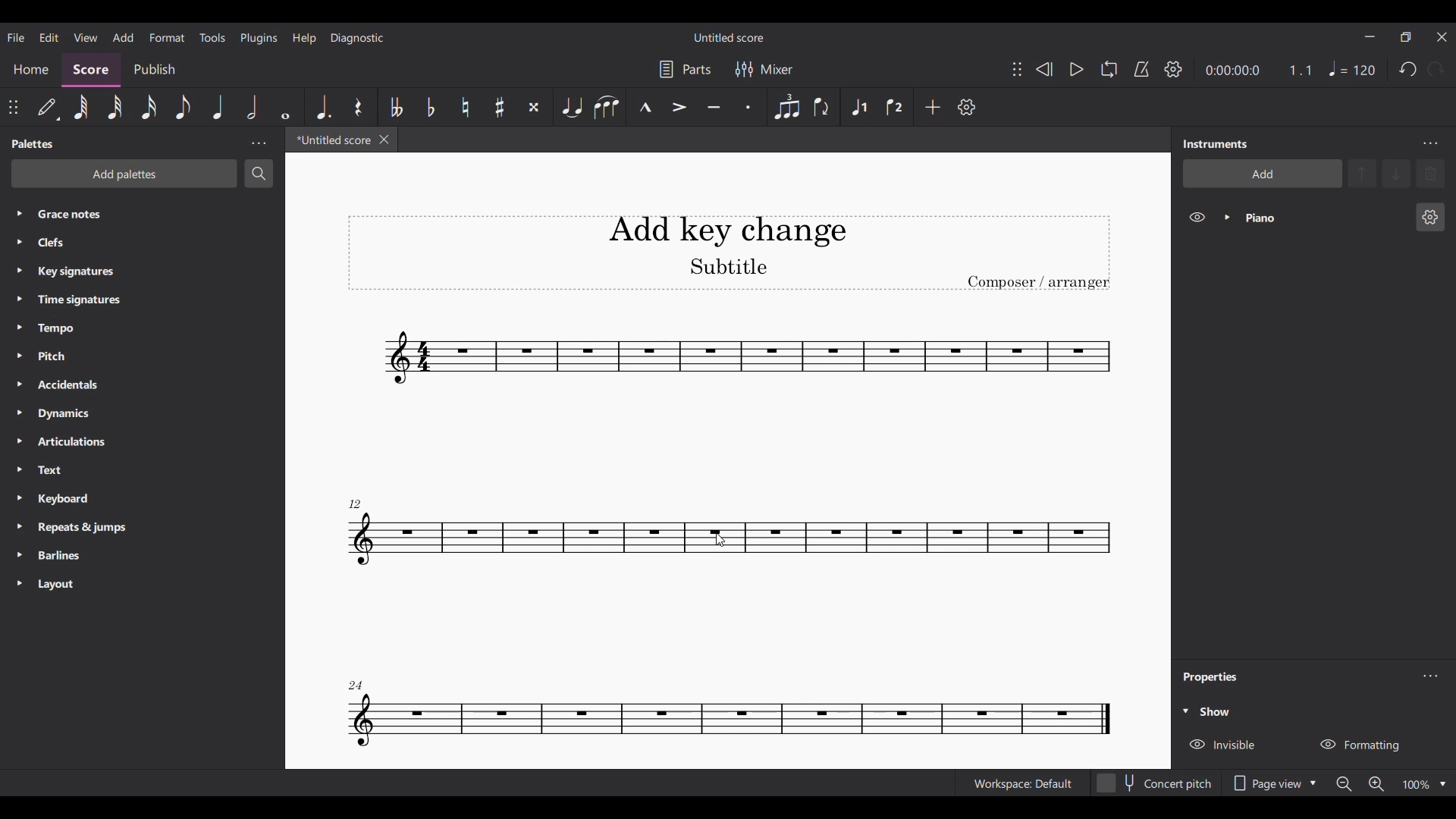  Describe the element at coordinates (325, 107) in the screenshot. I see `Augmentation dot` at that location.